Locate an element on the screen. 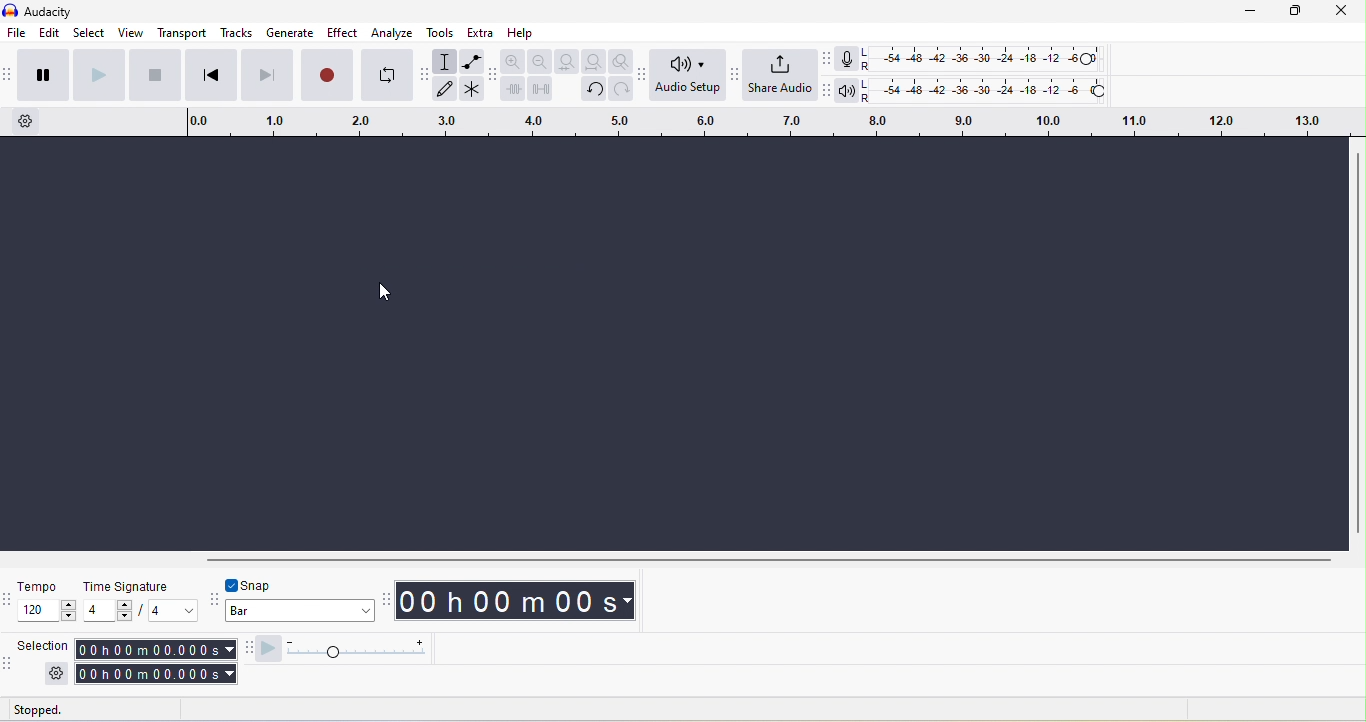 The height and width of the screenshot is (722, 1366). zoom tool is located at coordinates (620, 61).